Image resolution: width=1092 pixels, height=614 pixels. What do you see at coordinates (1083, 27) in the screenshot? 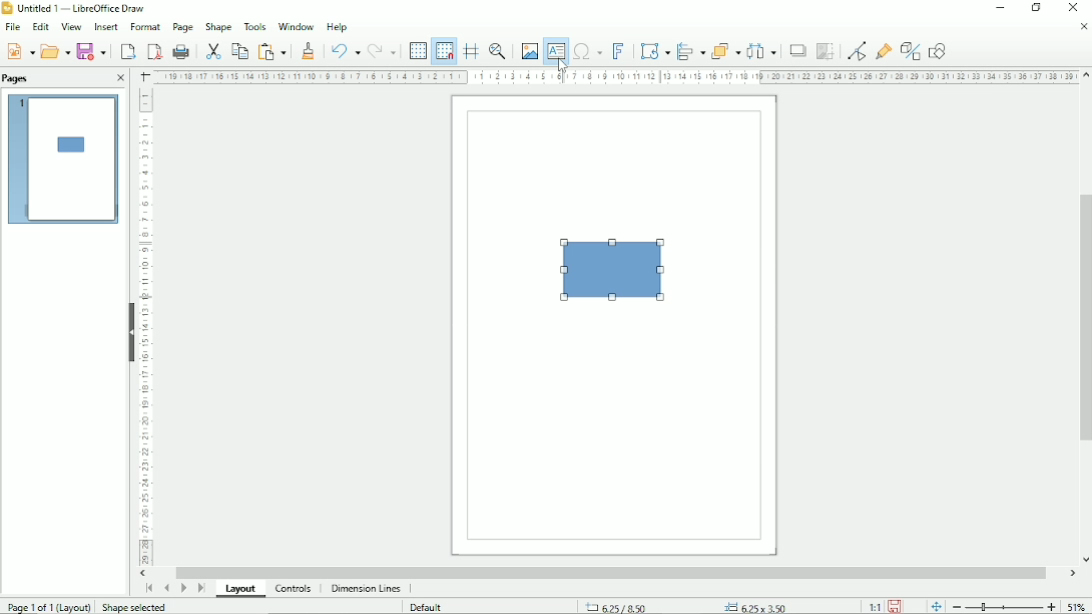
I see `Close` at bounding box center [1083, 27].